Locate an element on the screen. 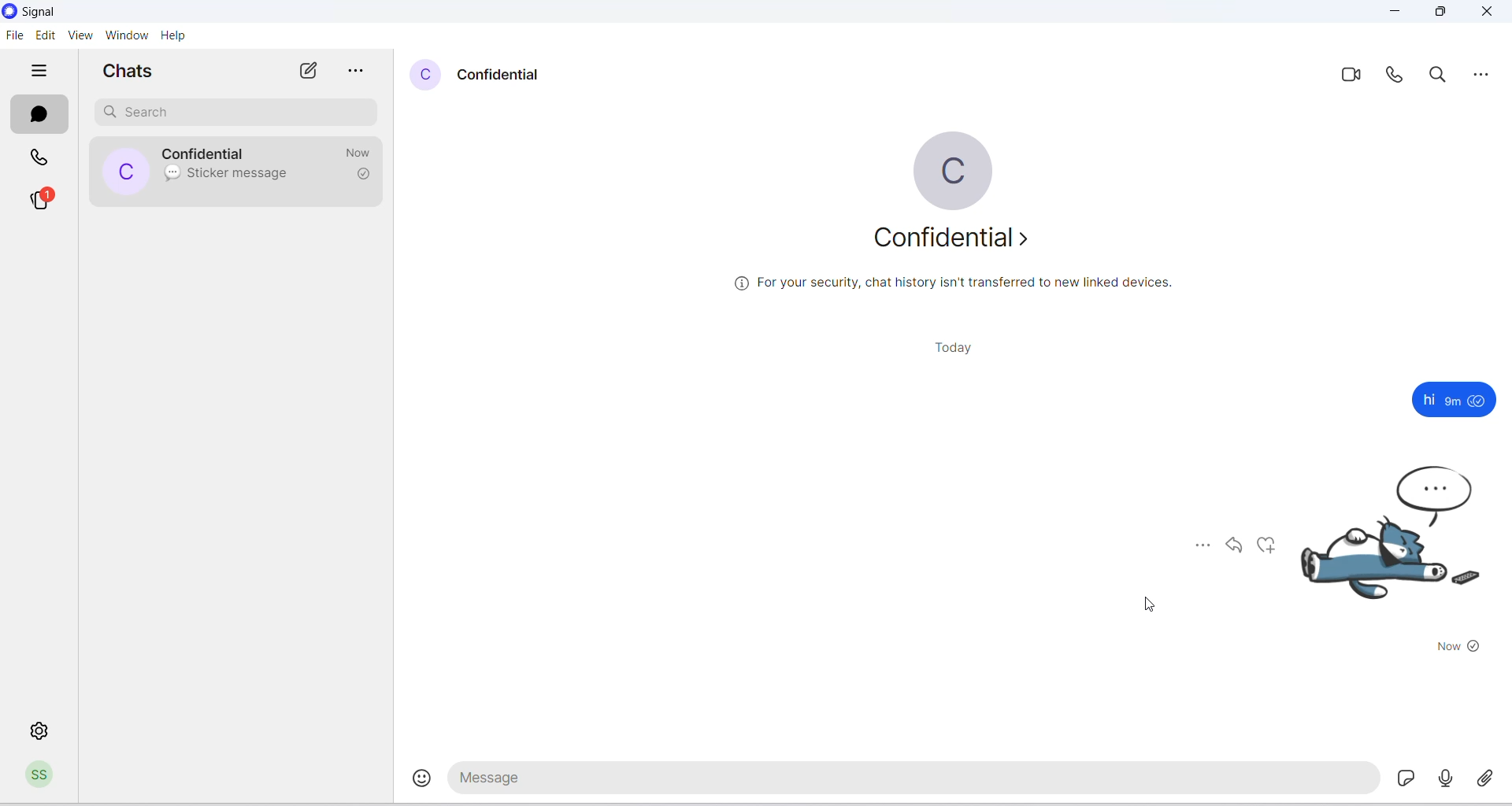  new chat is located at coordinates (309, 72).